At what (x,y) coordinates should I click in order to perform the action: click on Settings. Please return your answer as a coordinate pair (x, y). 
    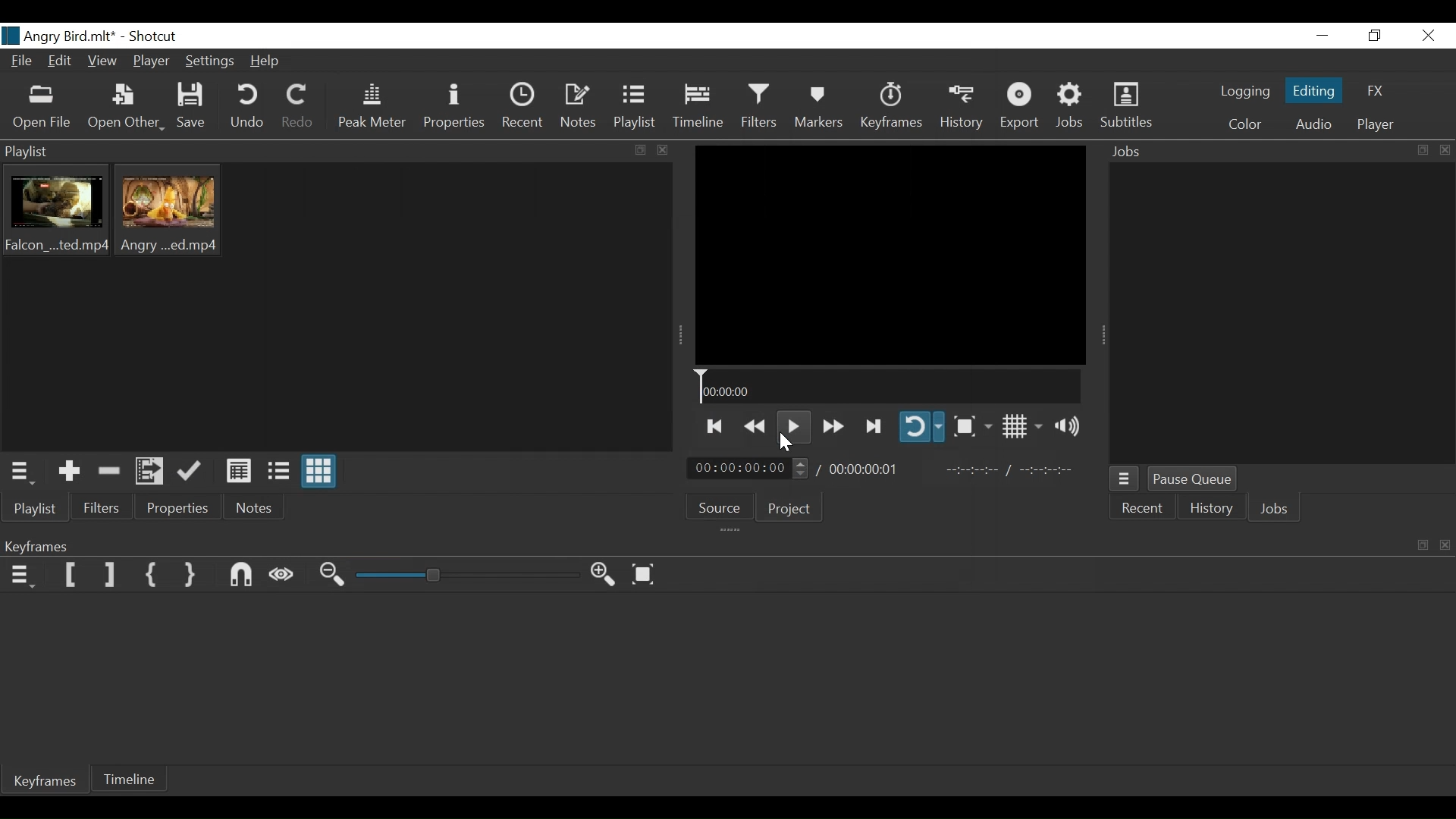
    Looking at the image, I should click on (210, 62).